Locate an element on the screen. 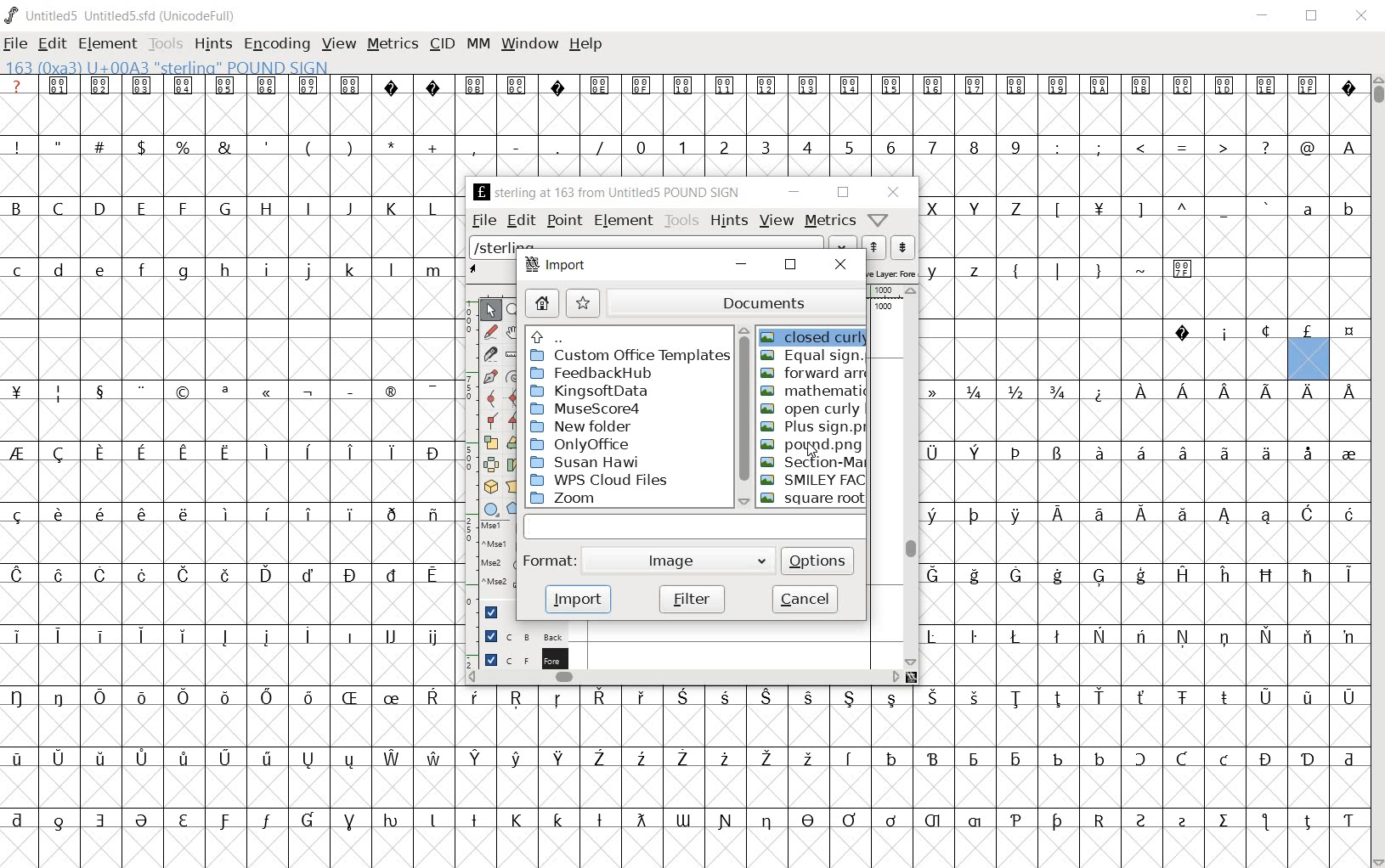 The image size is (1385, 868). Symbol is located at coordinates (1225, 760).